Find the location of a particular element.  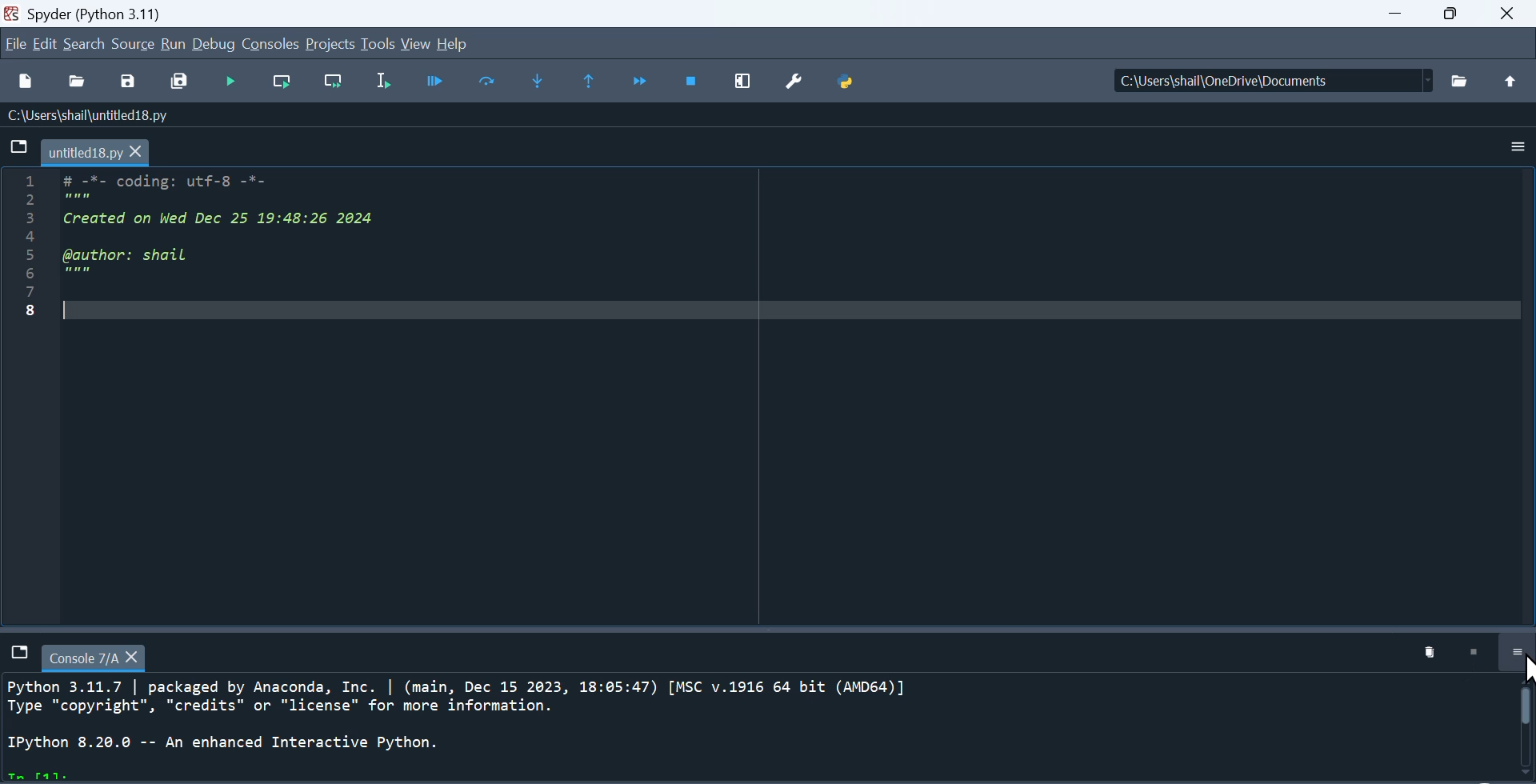

more options is located at coordinates (1517, 652).